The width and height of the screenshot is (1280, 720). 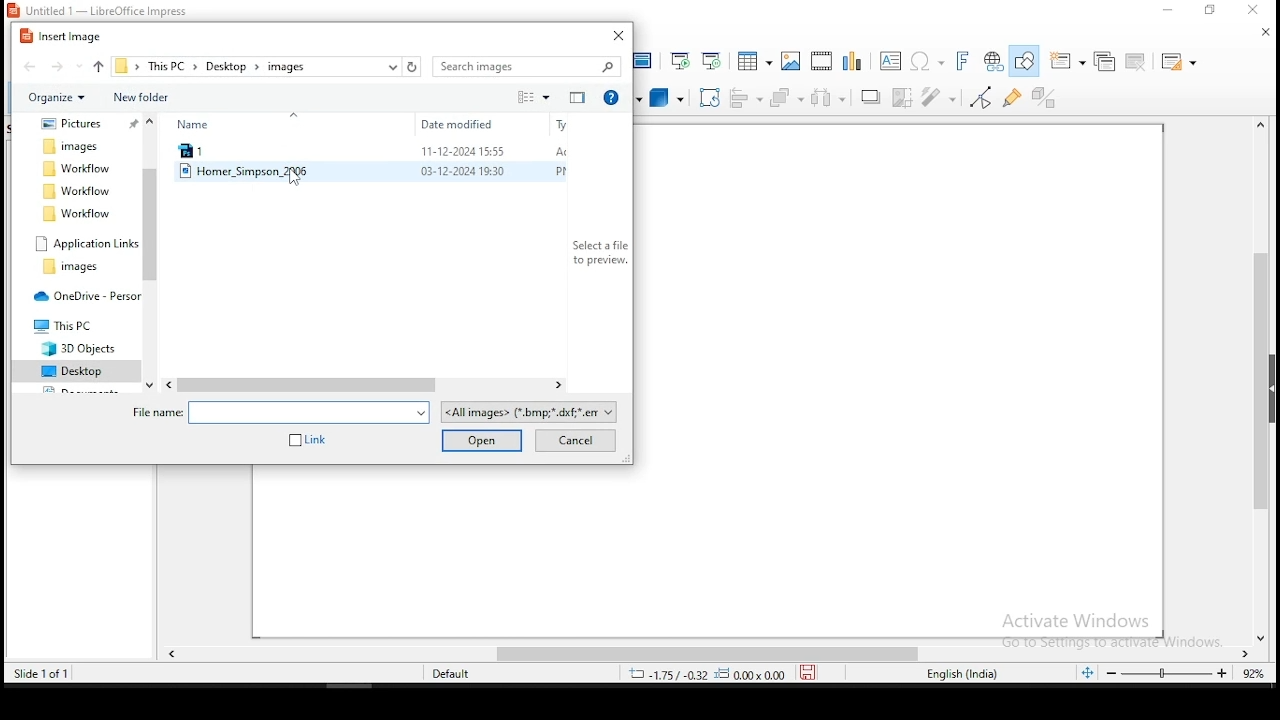 I want to click on shadow, so click(x=903, y=97).